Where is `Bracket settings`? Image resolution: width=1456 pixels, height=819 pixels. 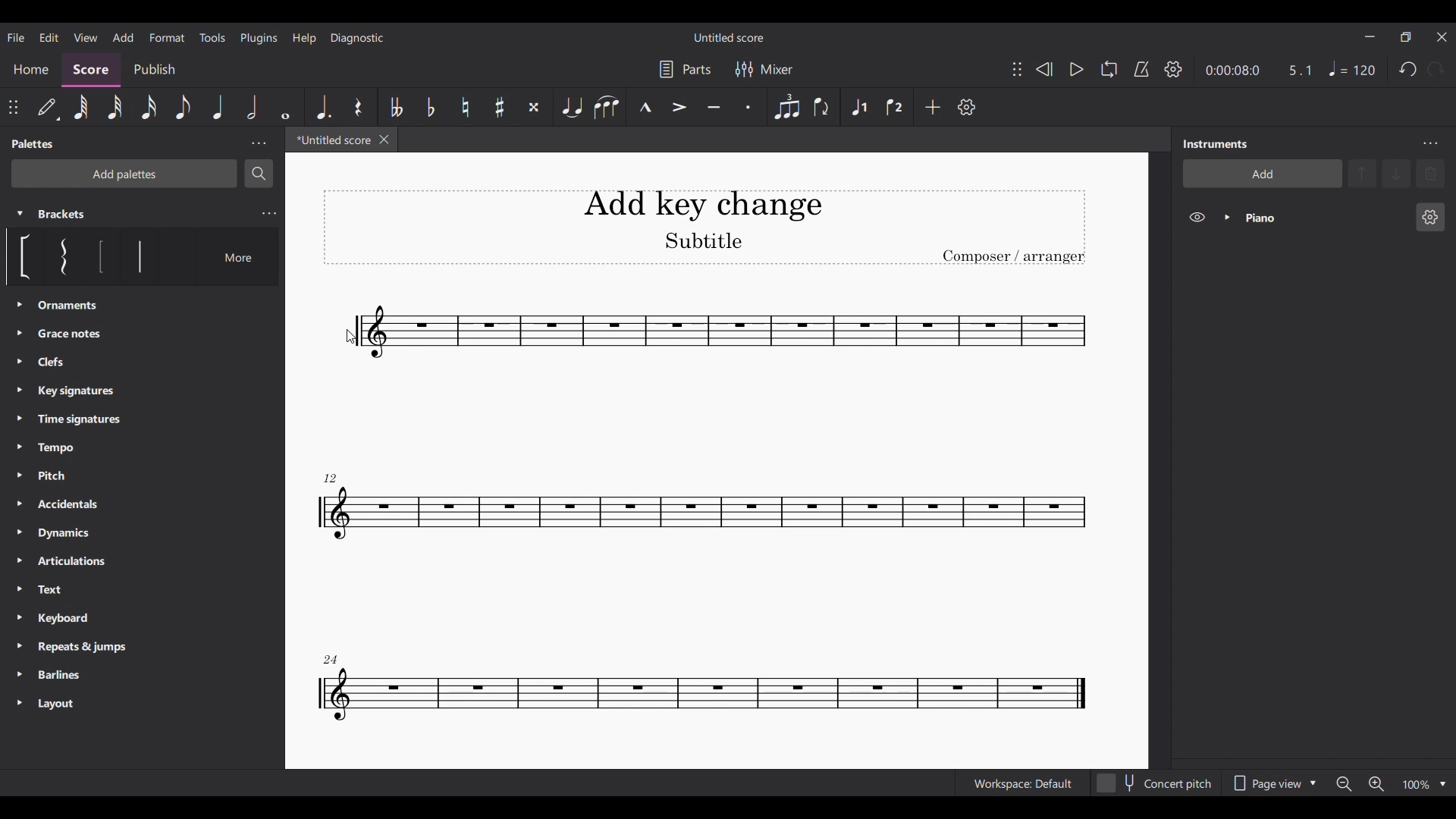 Bracket settings is located at coordinates (269, 214).